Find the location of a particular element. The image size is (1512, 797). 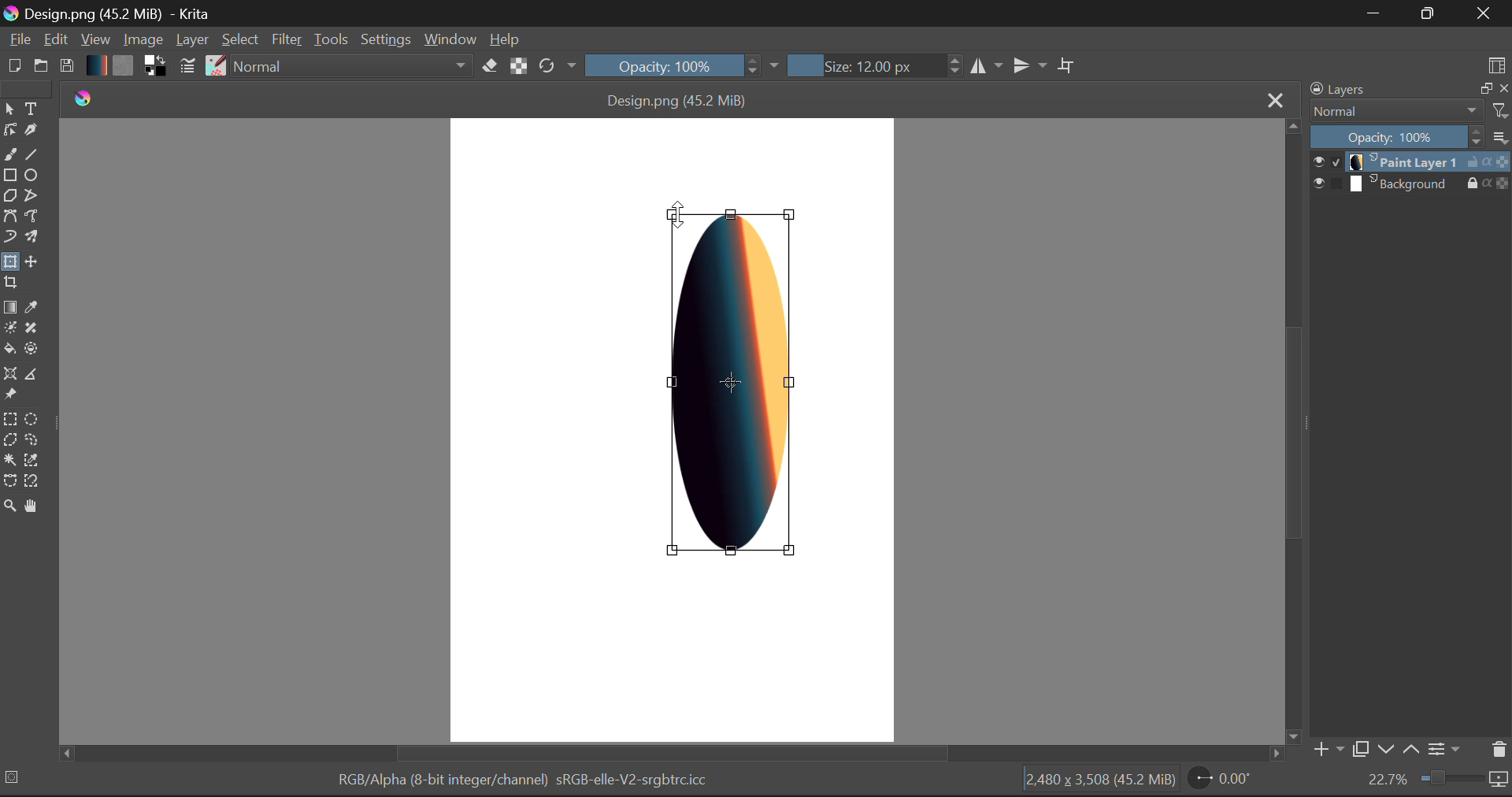

Zoom is located at coordinates (9, 509).